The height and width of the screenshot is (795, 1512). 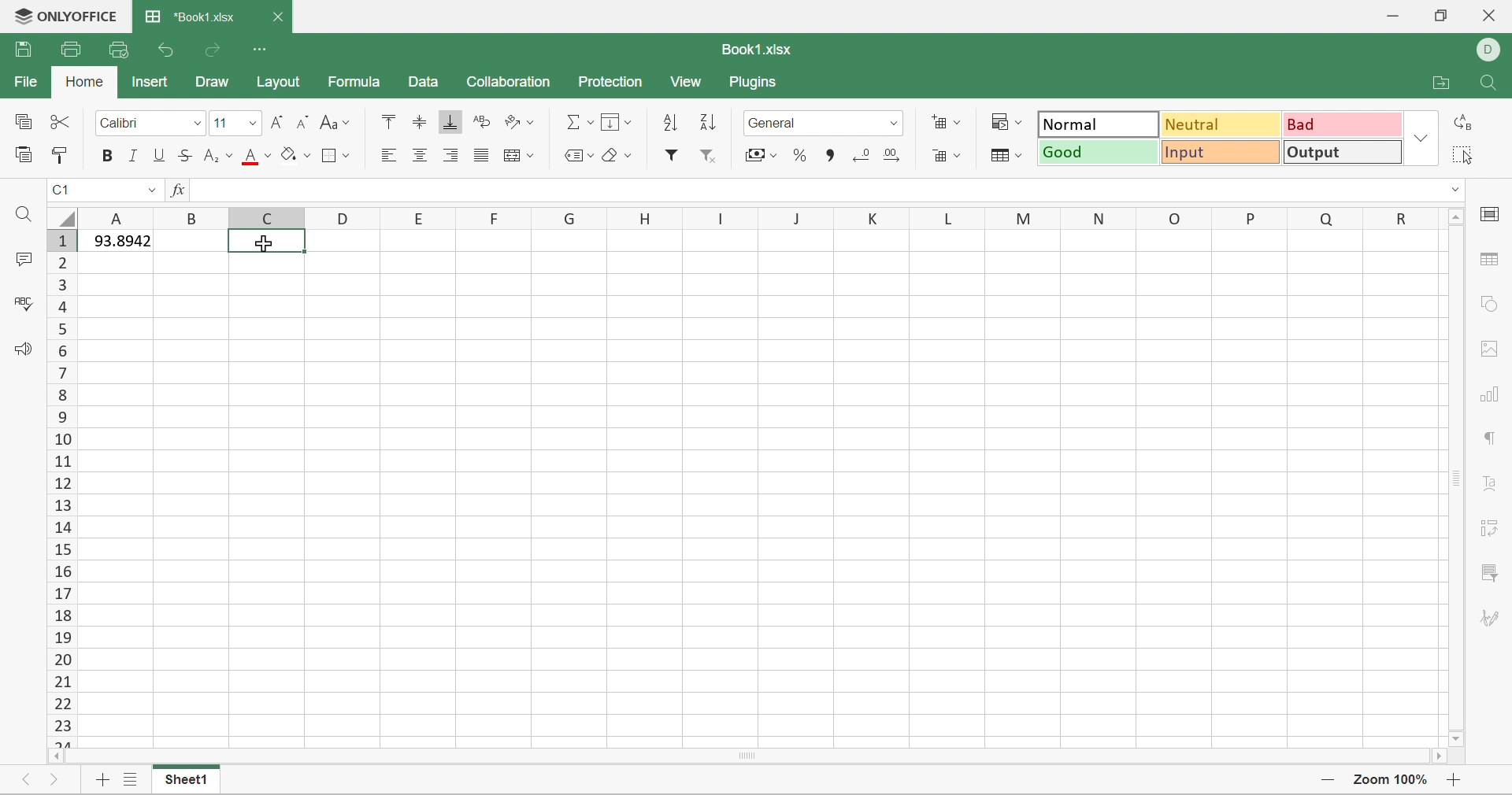 I want to click on *Book1.xlsx, so click(x=188, y=17).